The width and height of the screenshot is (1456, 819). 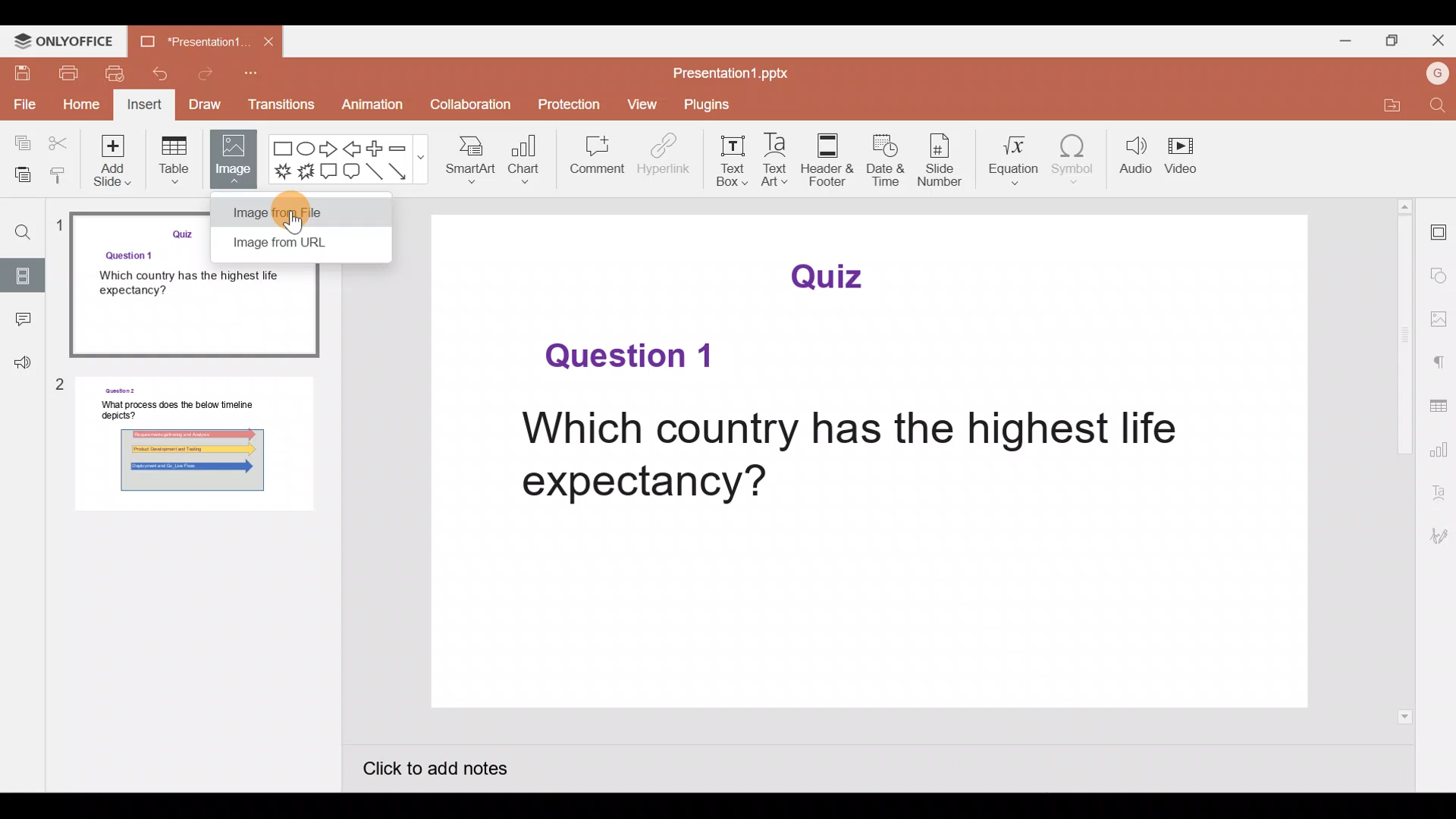 I want to click on Slide number, so click(x=946, y=162).